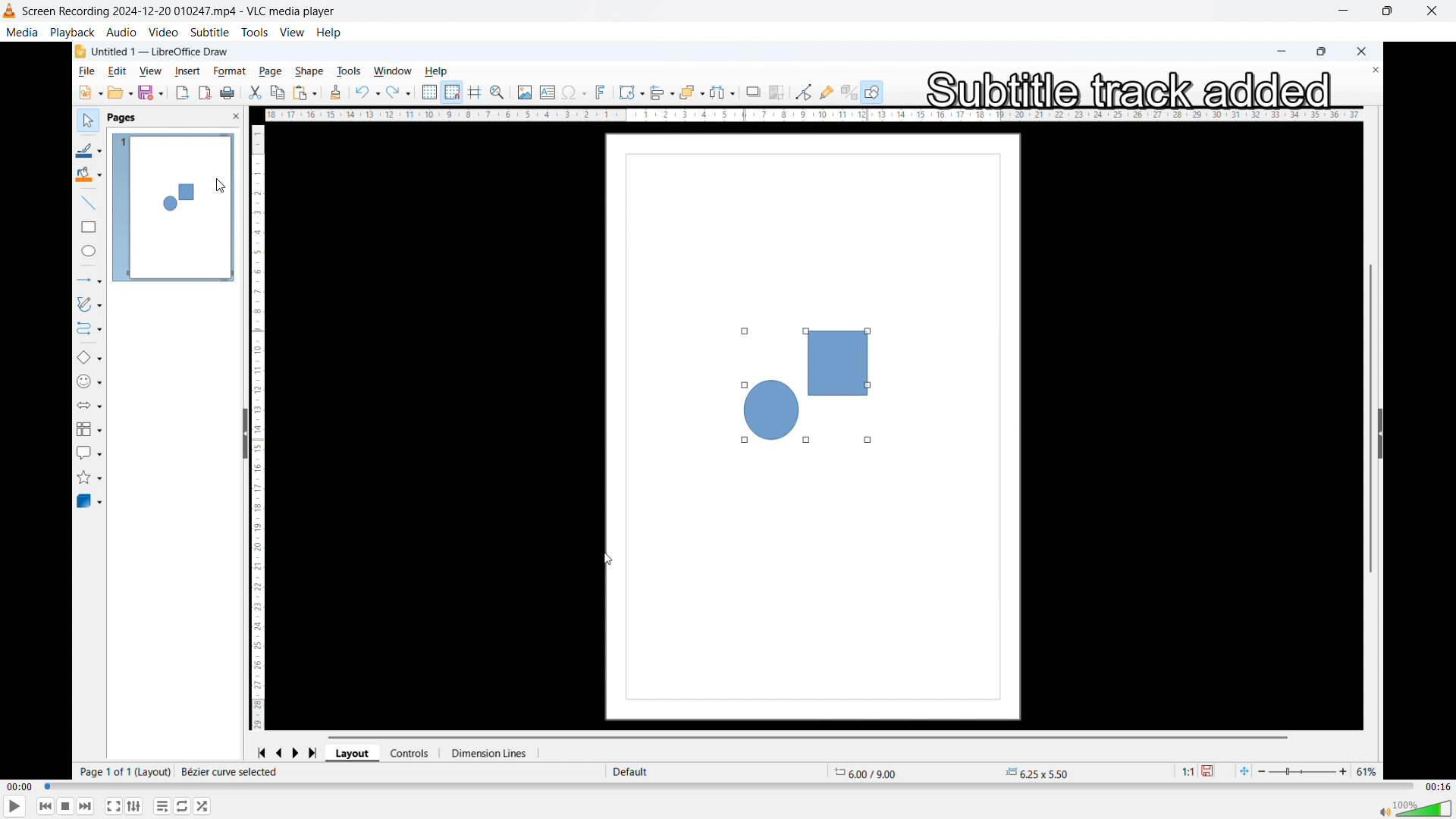 The width and height of the screenshot is (1456, 819). I want to click on page, so click(269, 71).